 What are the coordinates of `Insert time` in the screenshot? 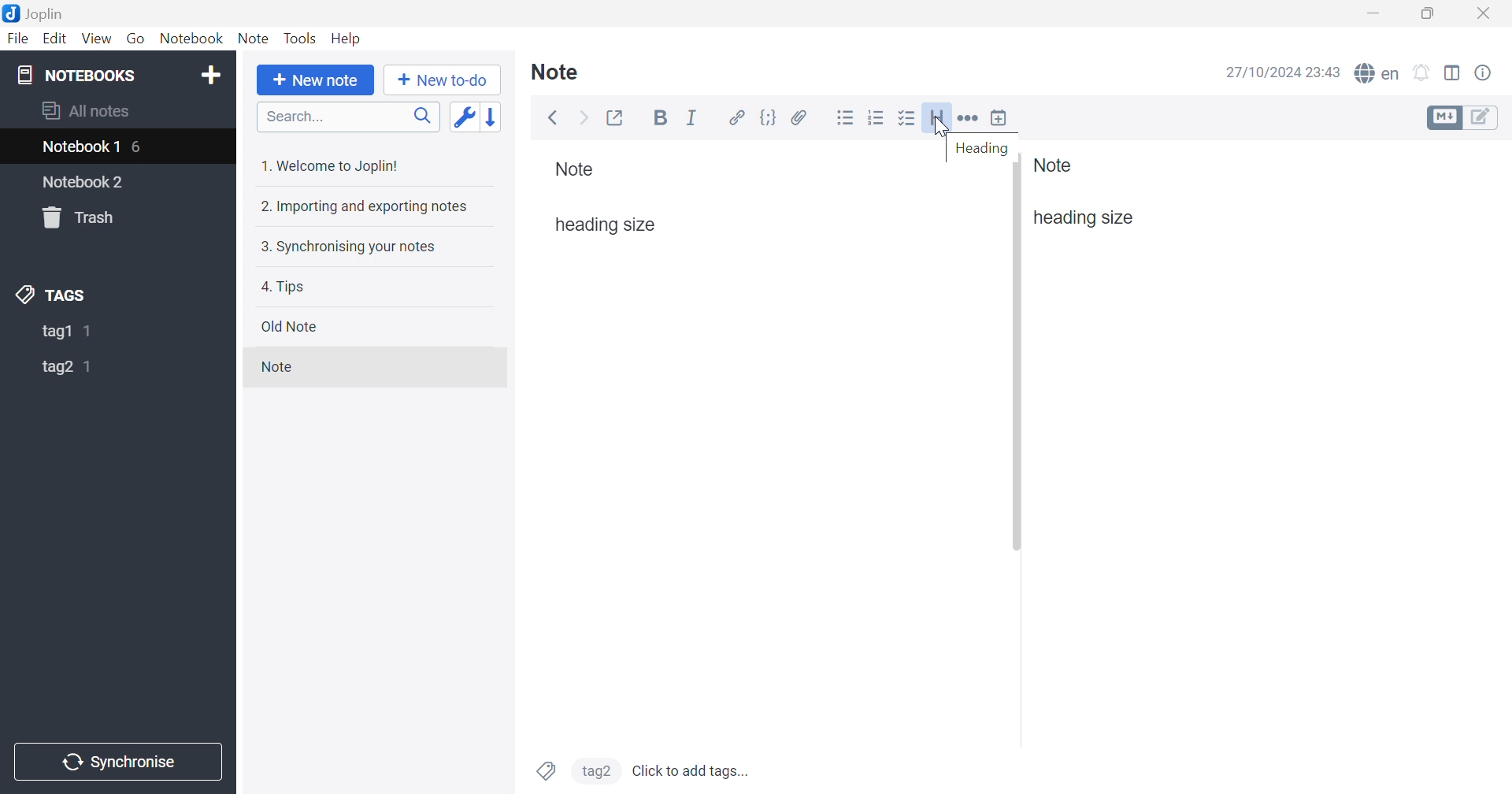 It's located at (999, 118).